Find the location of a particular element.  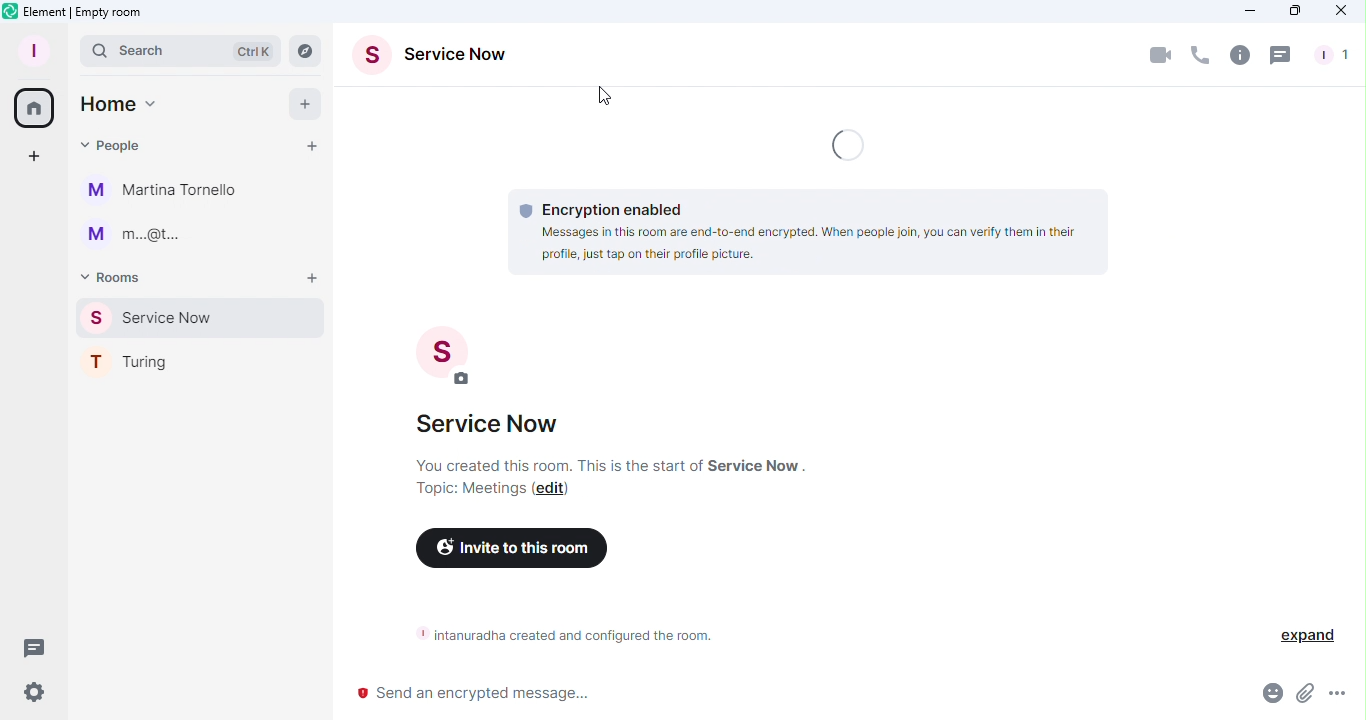

Invite to this room is located at coordinates (513, 553).